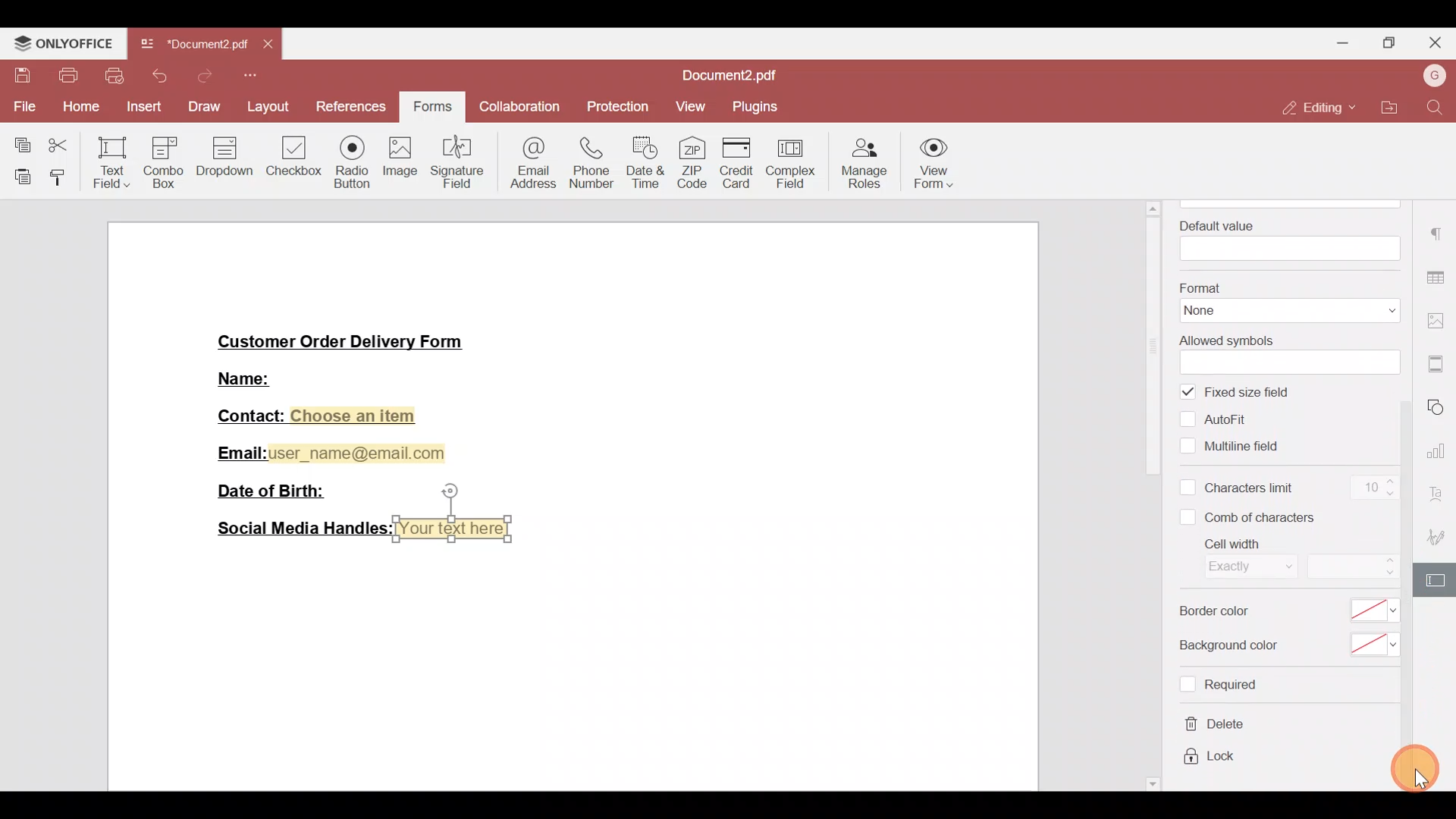  What do you see at coordinates (1385, 105) in the screenshot?
I see `Open file location` at bounding box center [1385, 105].